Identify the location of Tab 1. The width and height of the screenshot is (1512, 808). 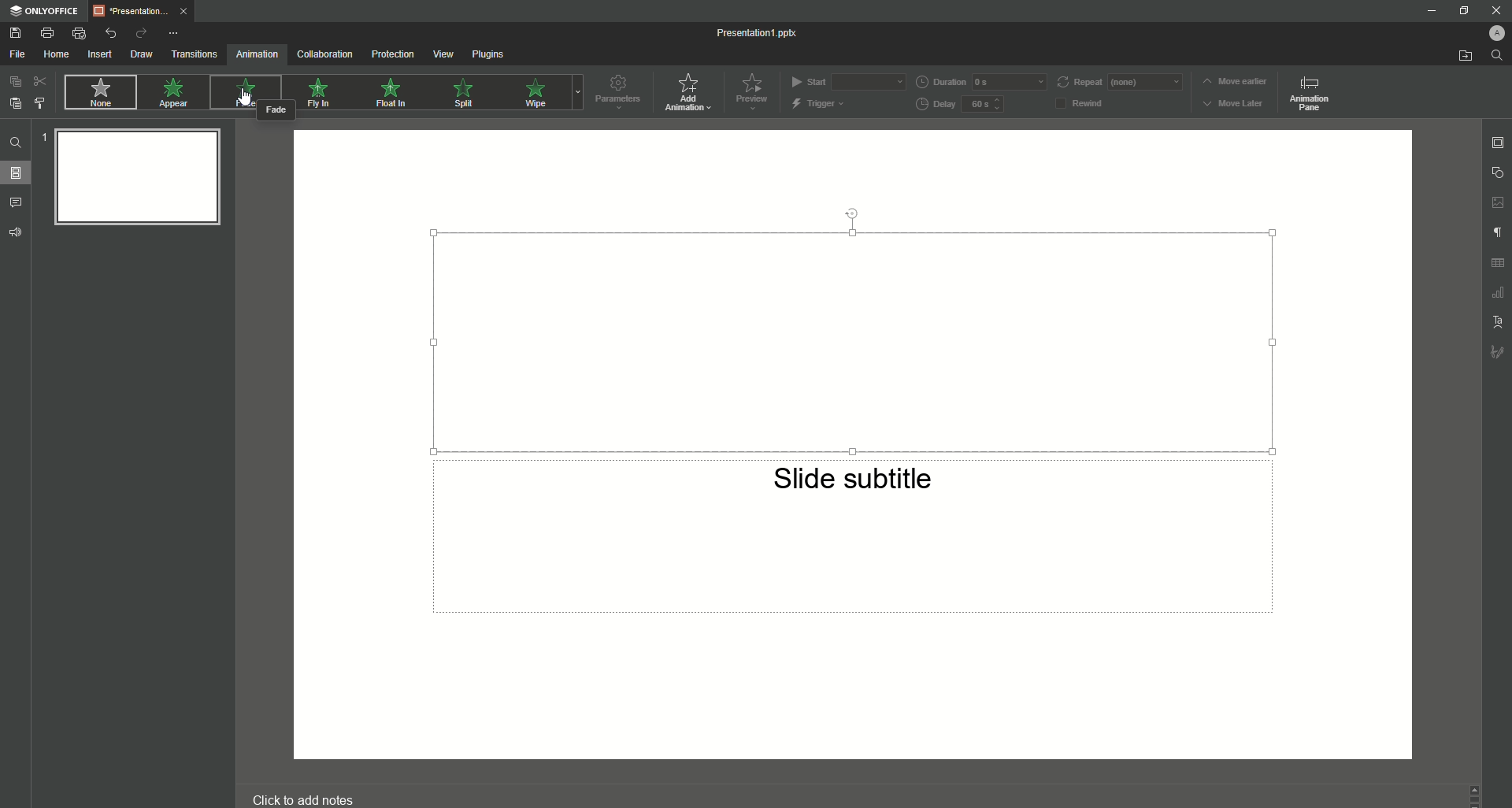
(139, 12).